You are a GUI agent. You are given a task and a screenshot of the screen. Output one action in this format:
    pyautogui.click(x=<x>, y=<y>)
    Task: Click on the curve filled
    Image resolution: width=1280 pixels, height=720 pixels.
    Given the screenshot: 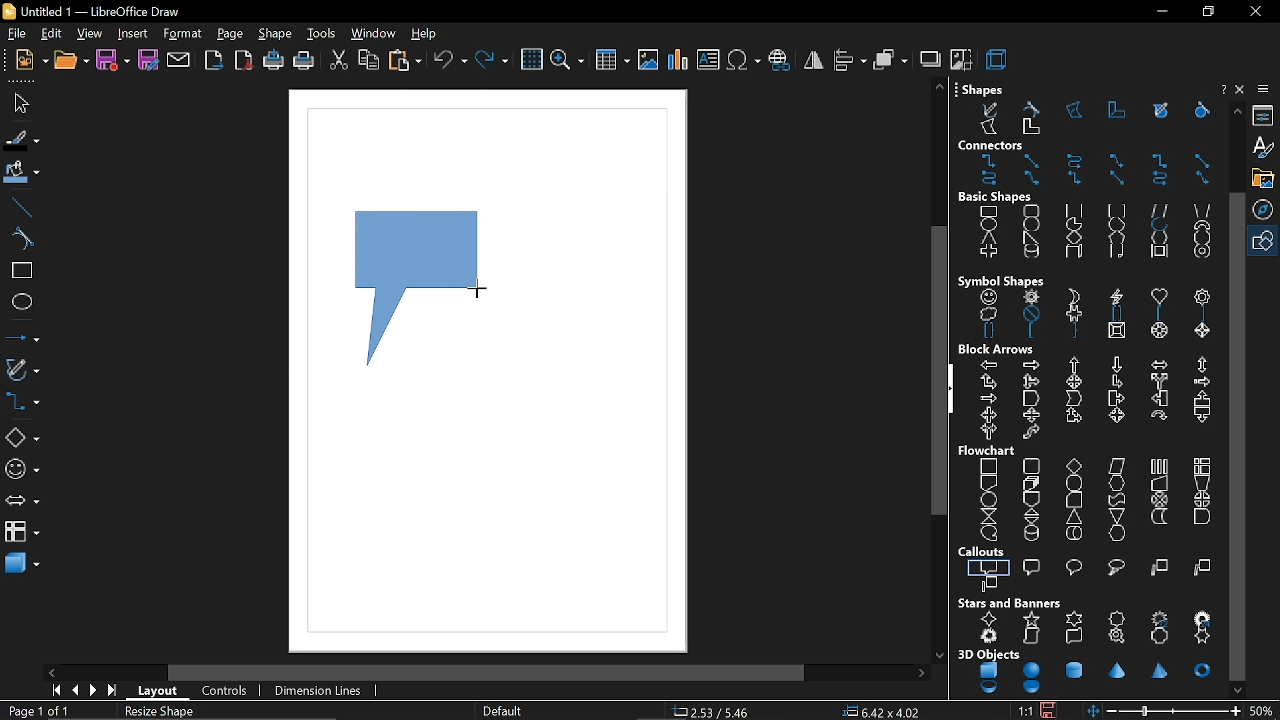 What is the action you would take?
    pyautogui.click(x=1198, y=111)
    